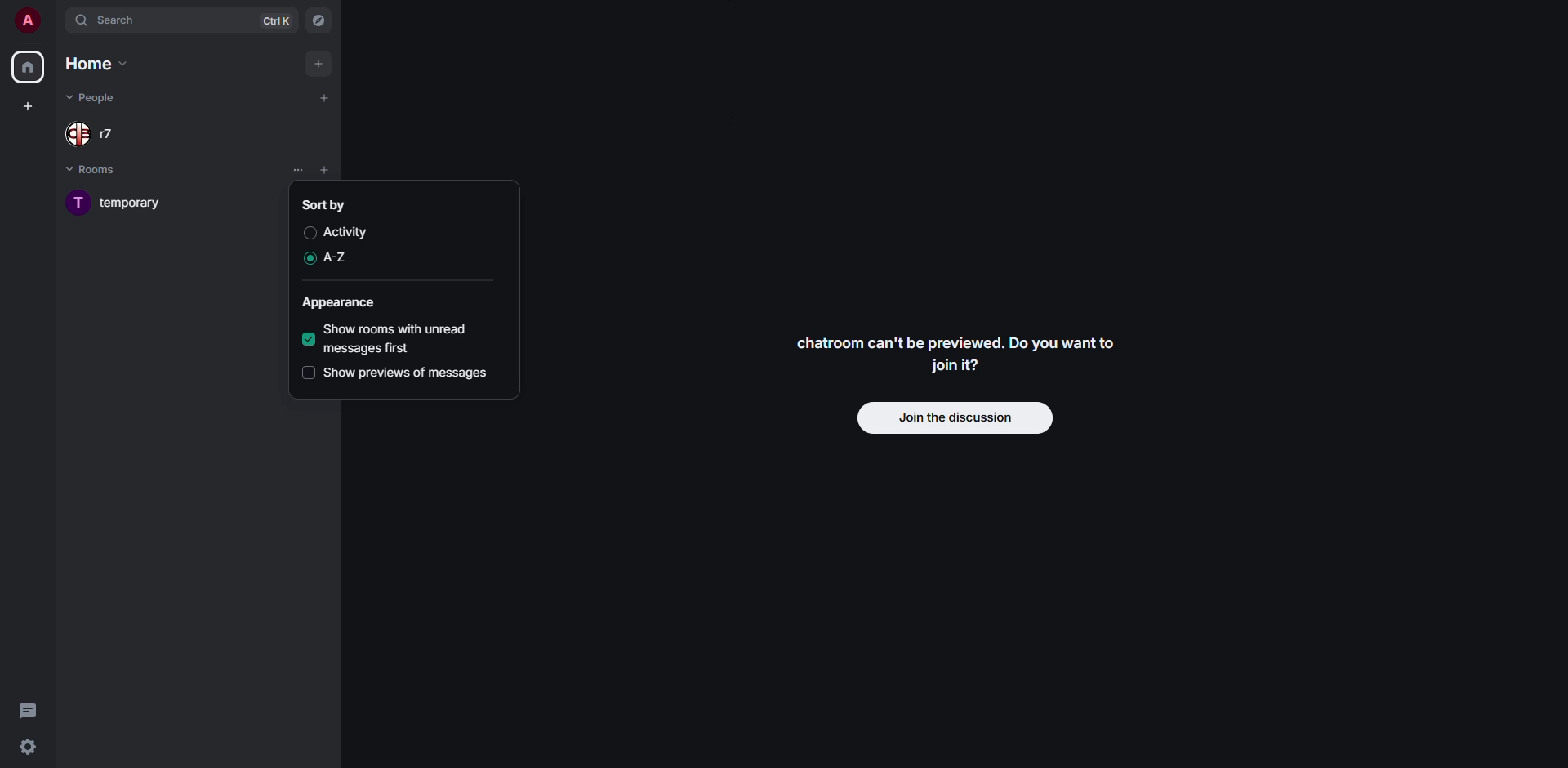  I want to click on enabled, so click(309, 338).